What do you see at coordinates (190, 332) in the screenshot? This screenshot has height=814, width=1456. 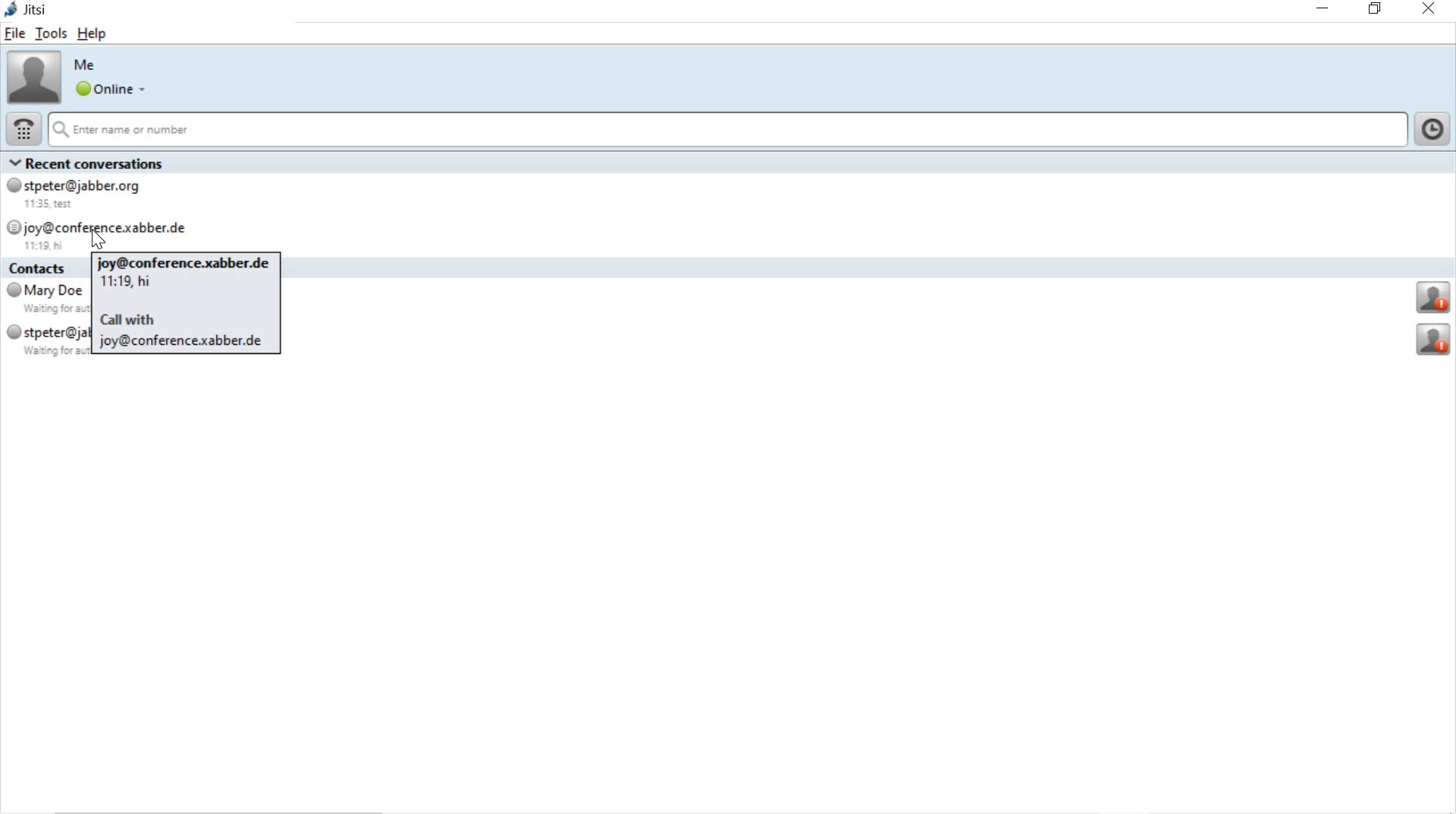 I see `Call withjoy@conference.xabber.de` at bounding box center [190, 332].